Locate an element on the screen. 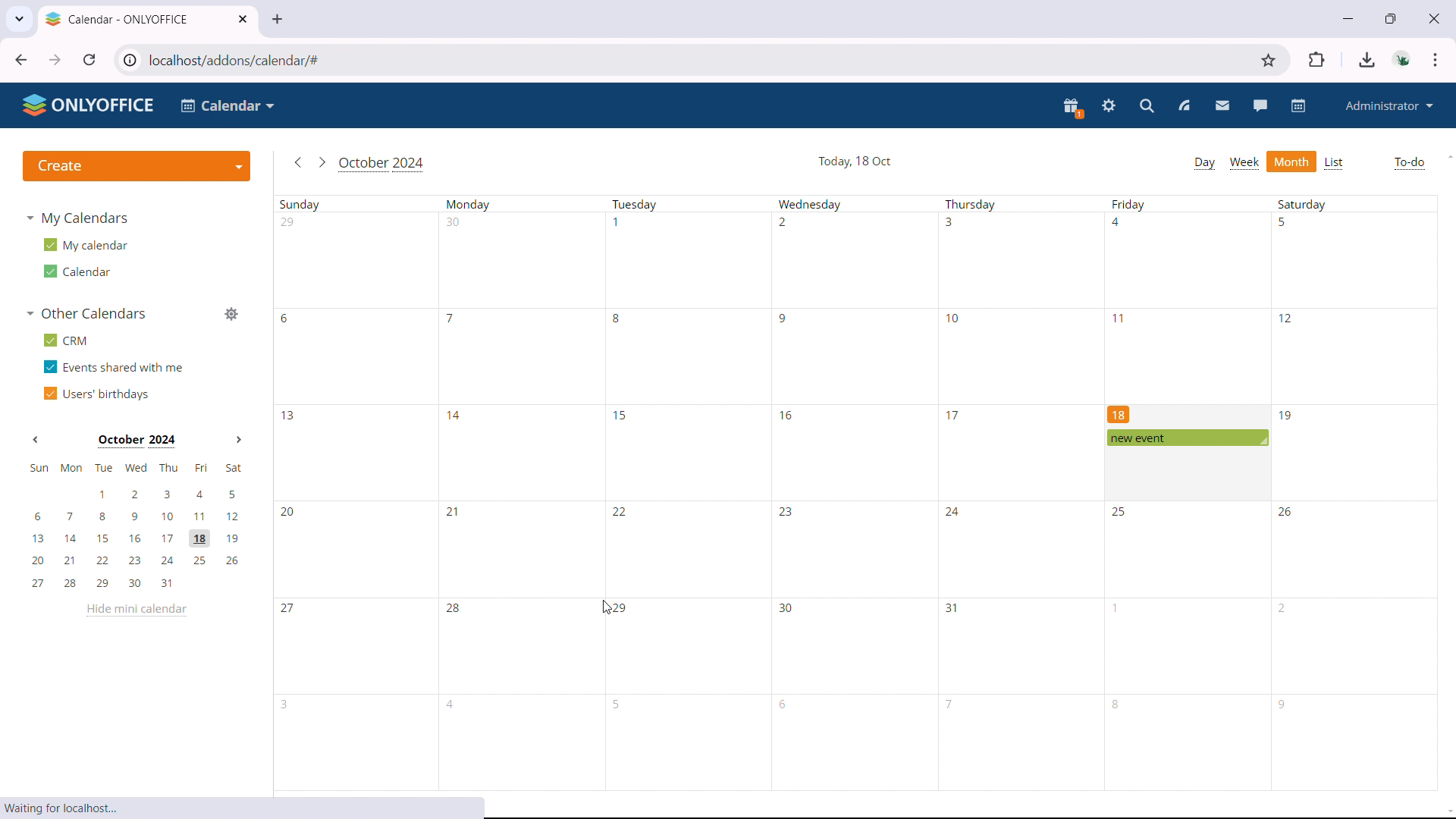 Image resolution: width=1456 pixels, height=819 pixels. 2 is located at coordinates (783, 222).